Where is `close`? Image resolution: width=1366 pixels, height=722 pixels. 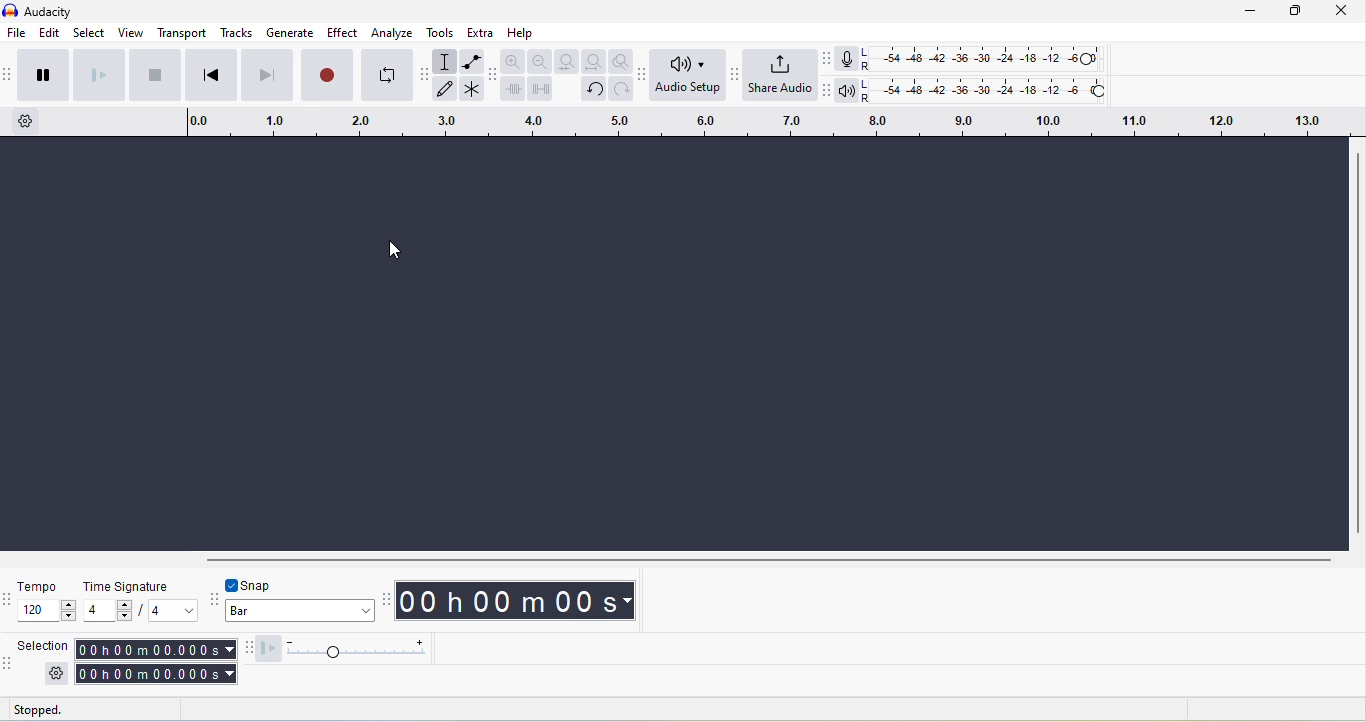 close is located at coordinates (1342, 12).